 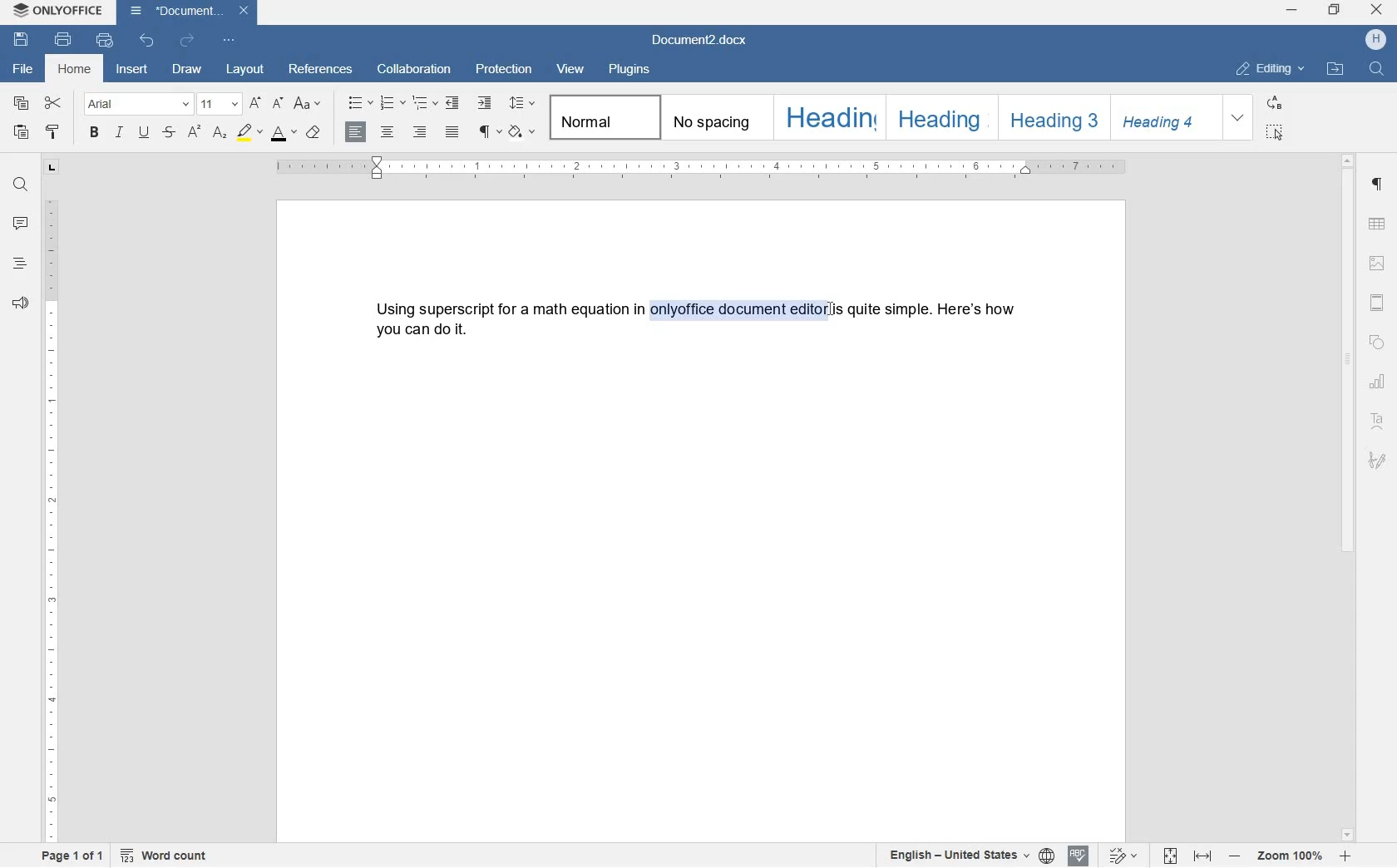 I want to click on word count, so click(x=168, y=856).